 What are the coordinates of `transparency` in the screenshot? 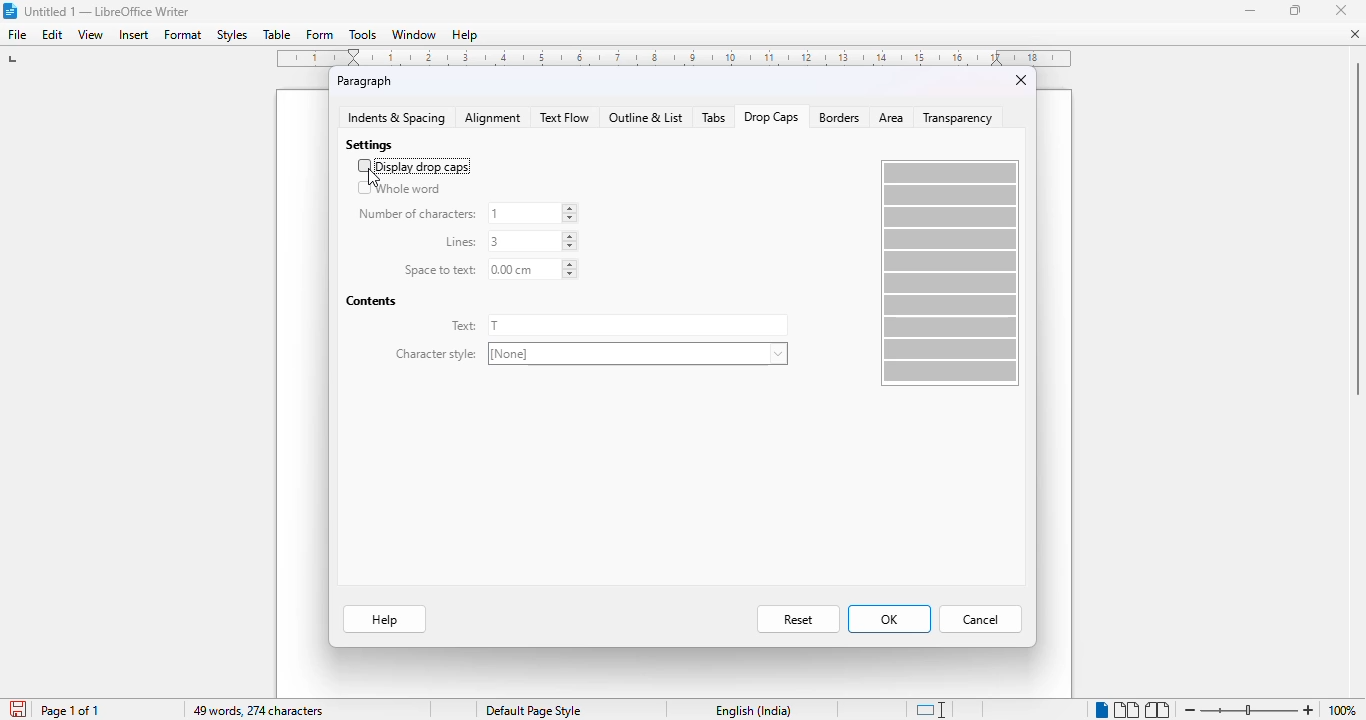 It's located at (957, 117).